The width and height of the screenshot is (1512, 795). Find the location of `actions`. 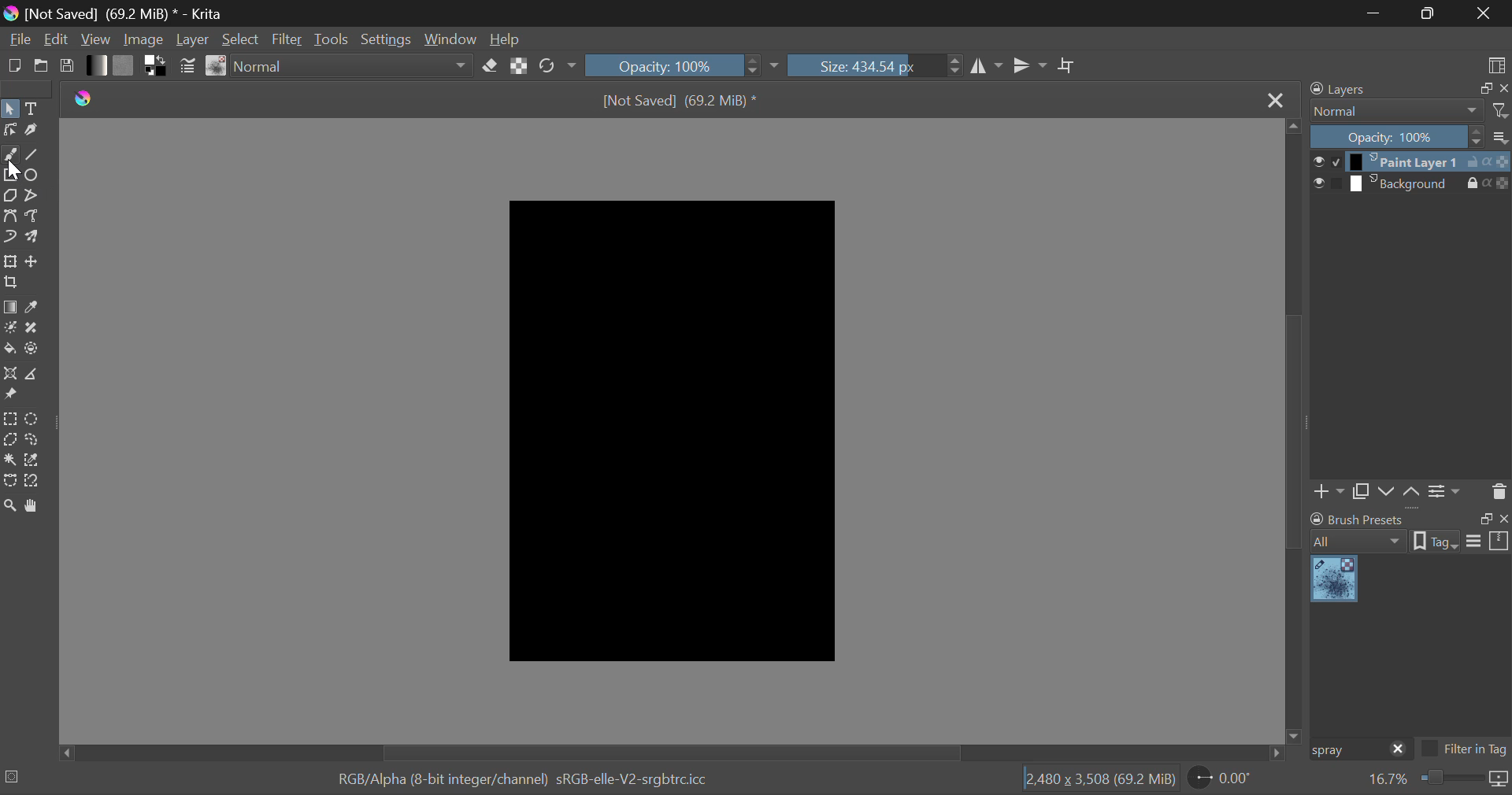

actions is located at coordinates (1488, 162).